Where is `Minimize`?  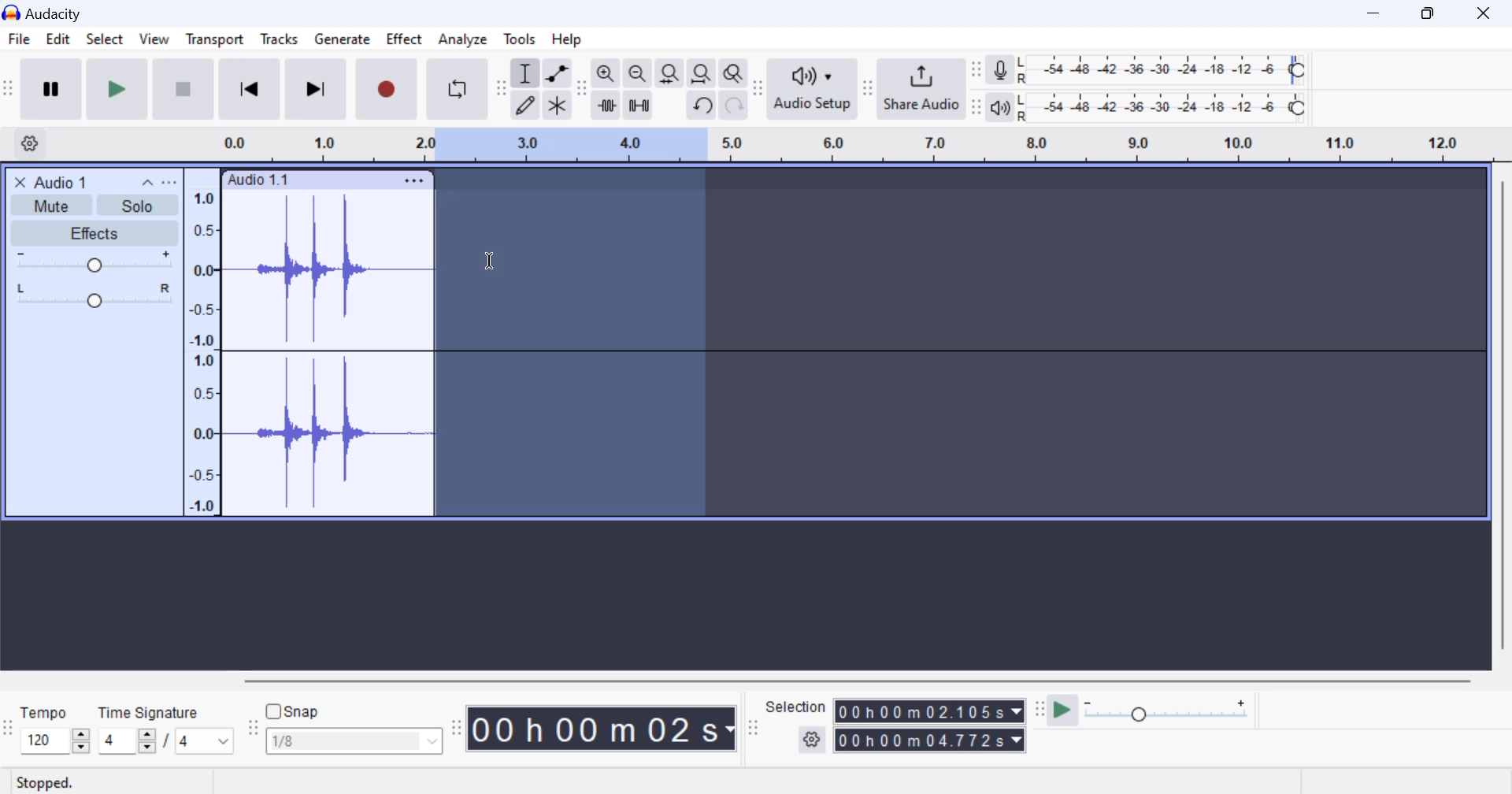 Minimize is located at coordinates (1432, 12).